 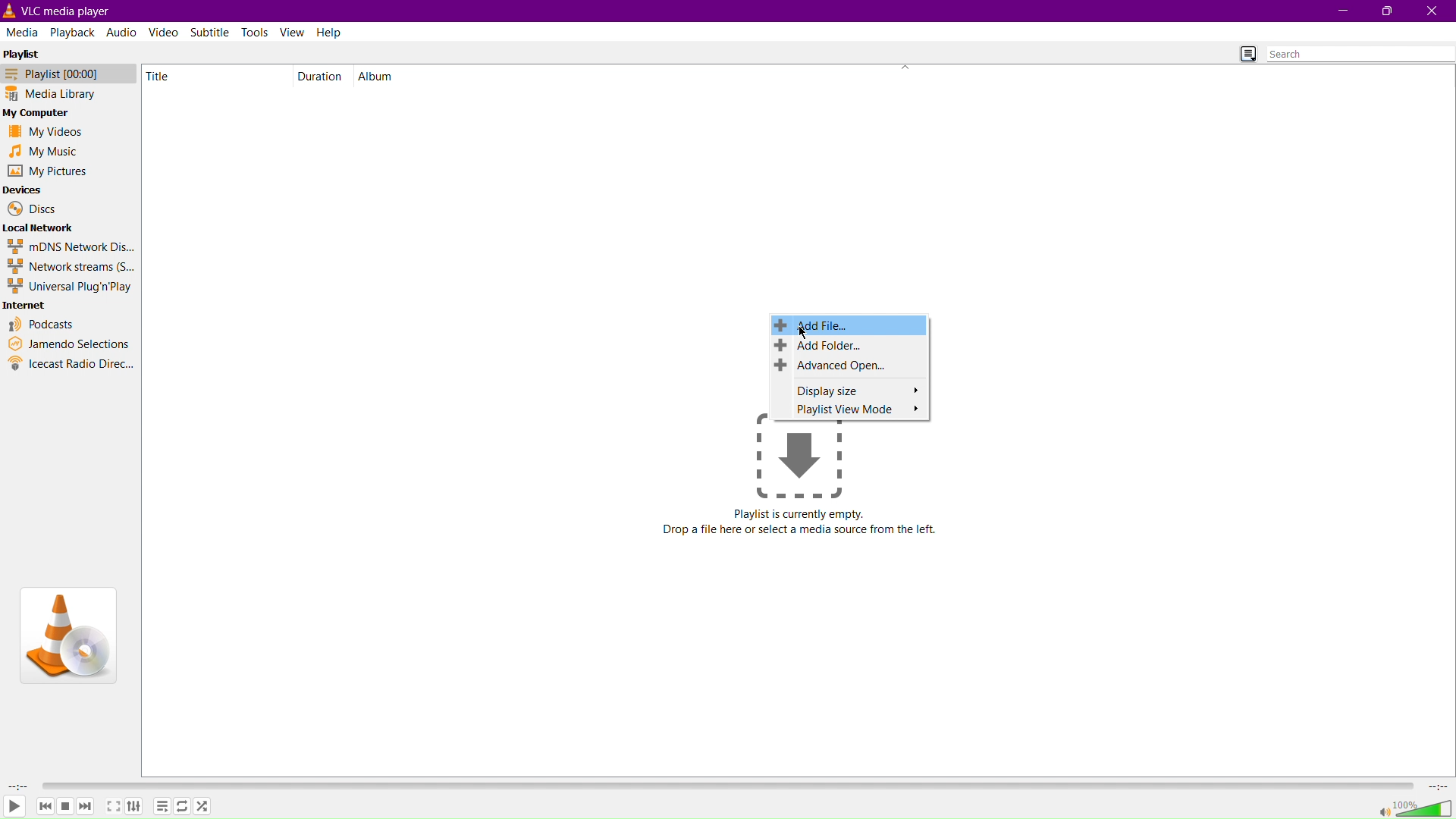 I want to click on Drop a file here or select a media source from the left., so click(x=801, y=531).